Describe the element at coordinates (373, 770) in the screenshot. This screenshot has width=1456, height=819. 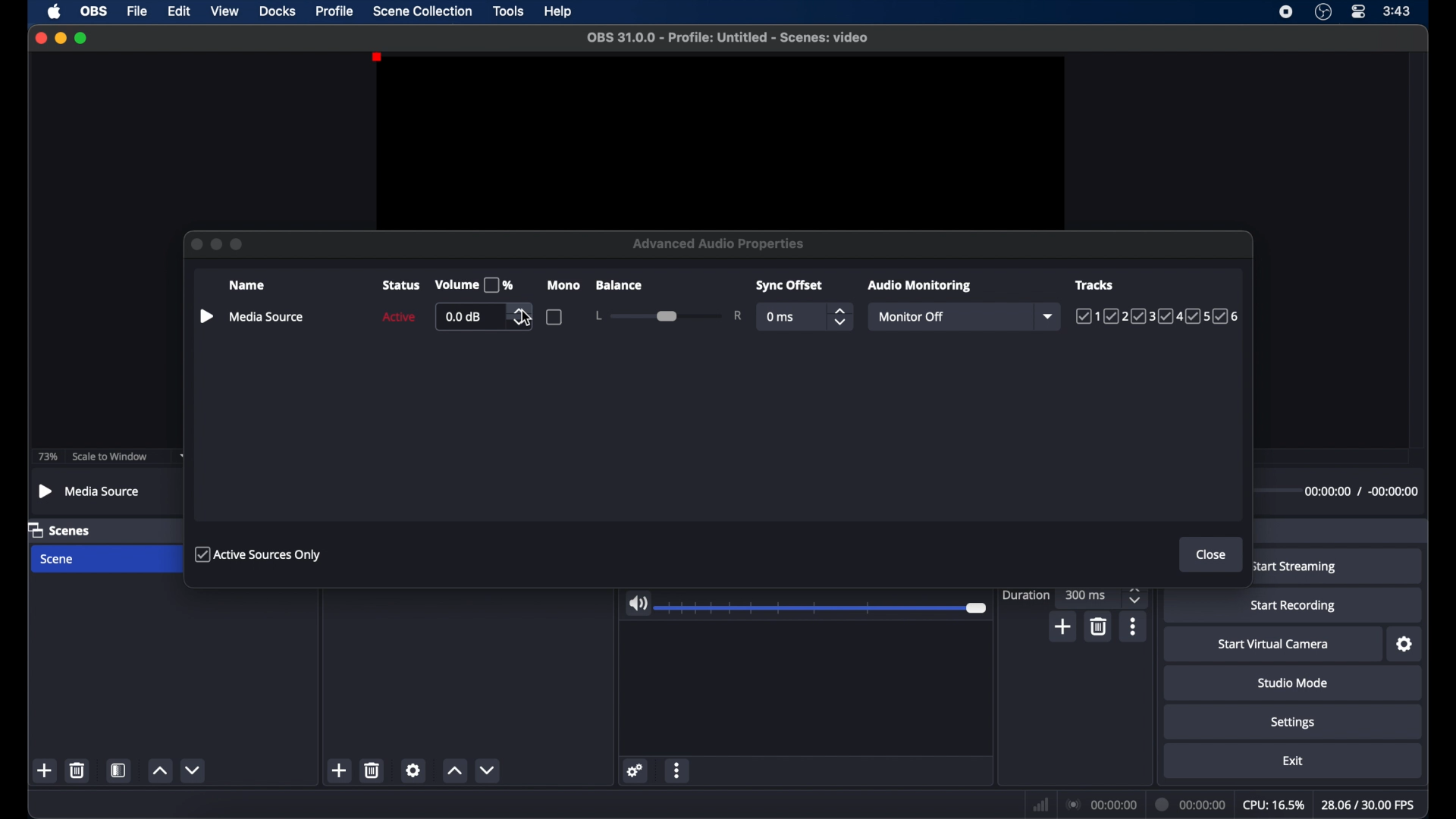
I see `delete` at that location.